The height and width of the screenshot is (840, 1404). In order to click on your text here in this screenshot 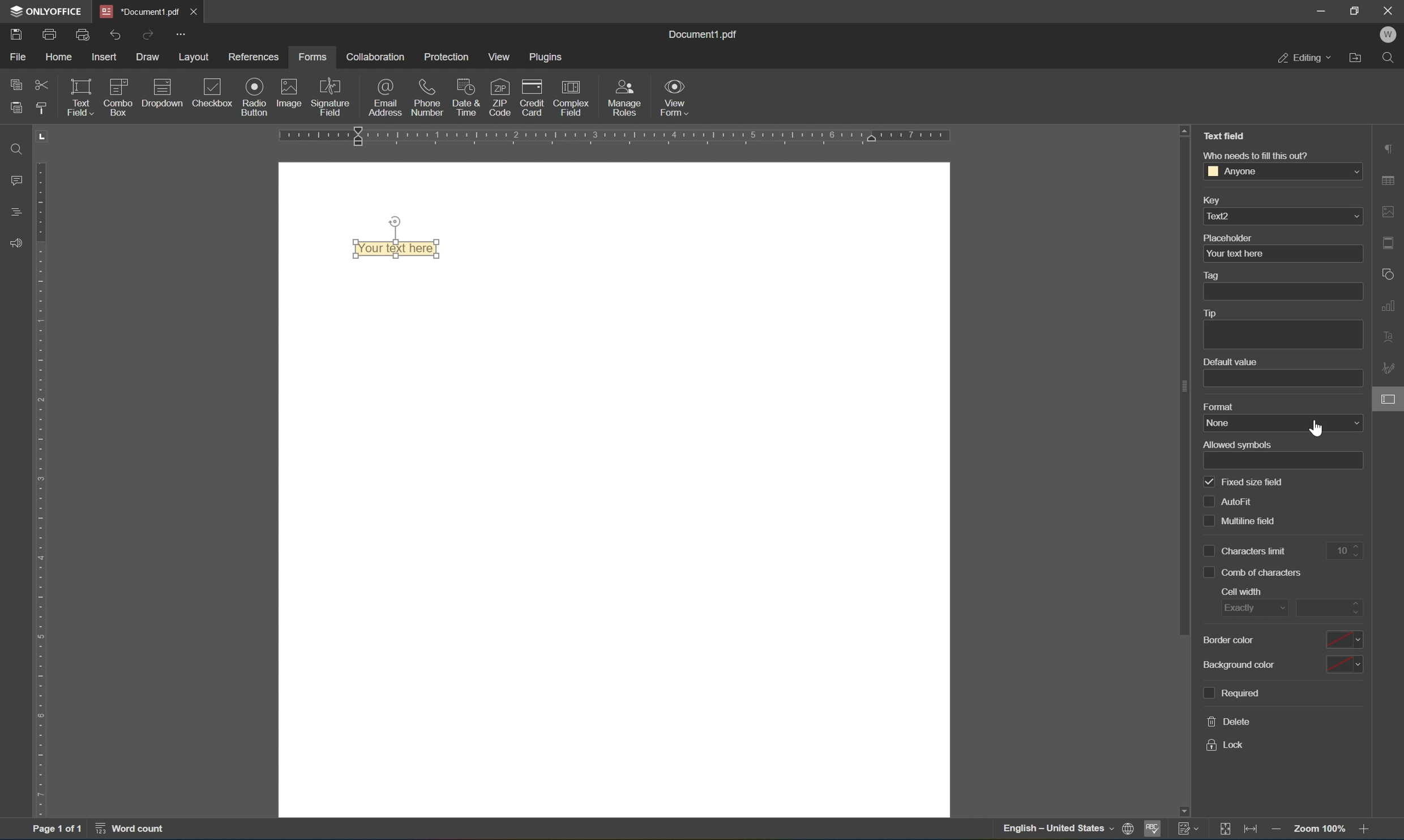, I will do `click(1235, 254)`.